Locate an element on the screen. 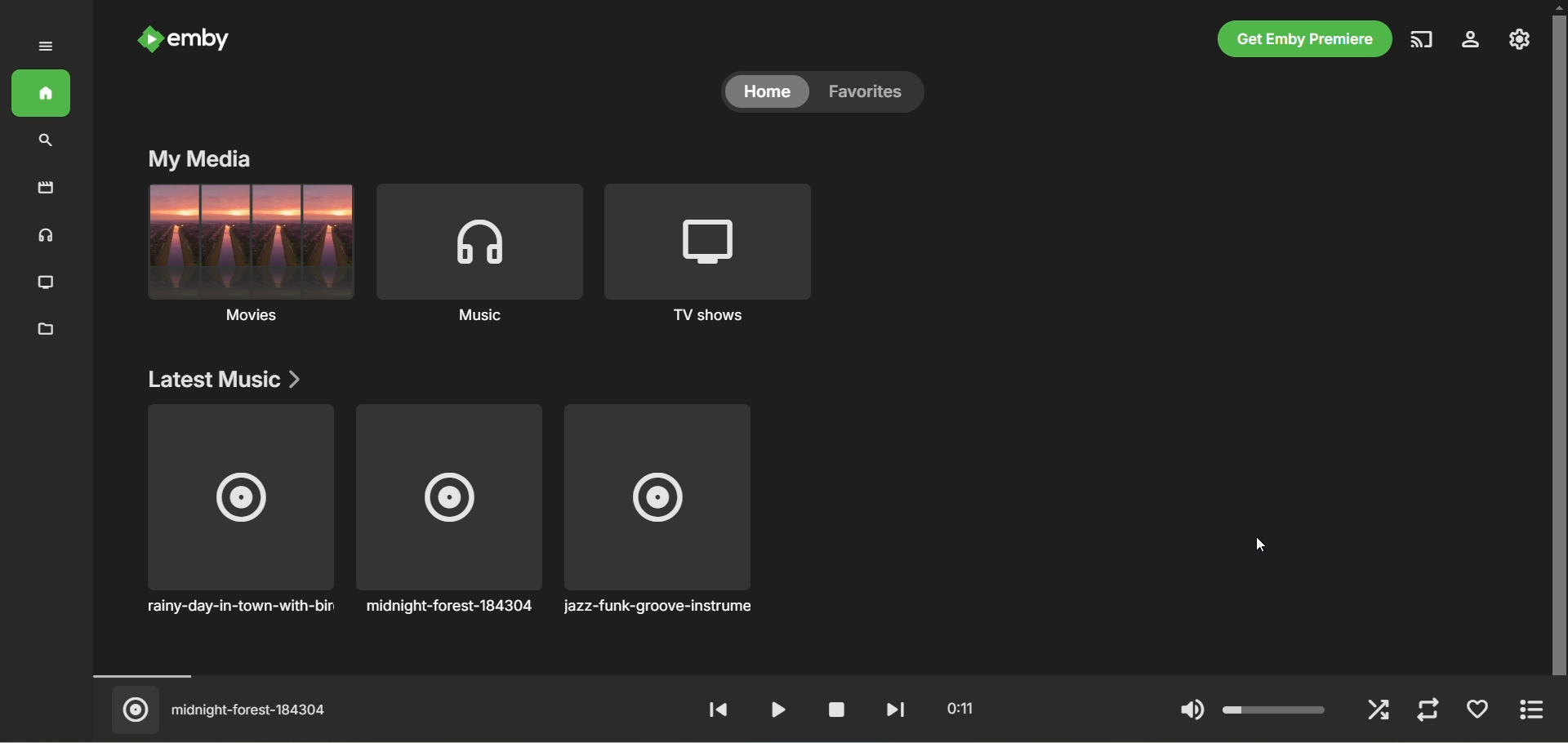 This screenshot has width=1568, height=743. music is located at coordinates (479, 252).